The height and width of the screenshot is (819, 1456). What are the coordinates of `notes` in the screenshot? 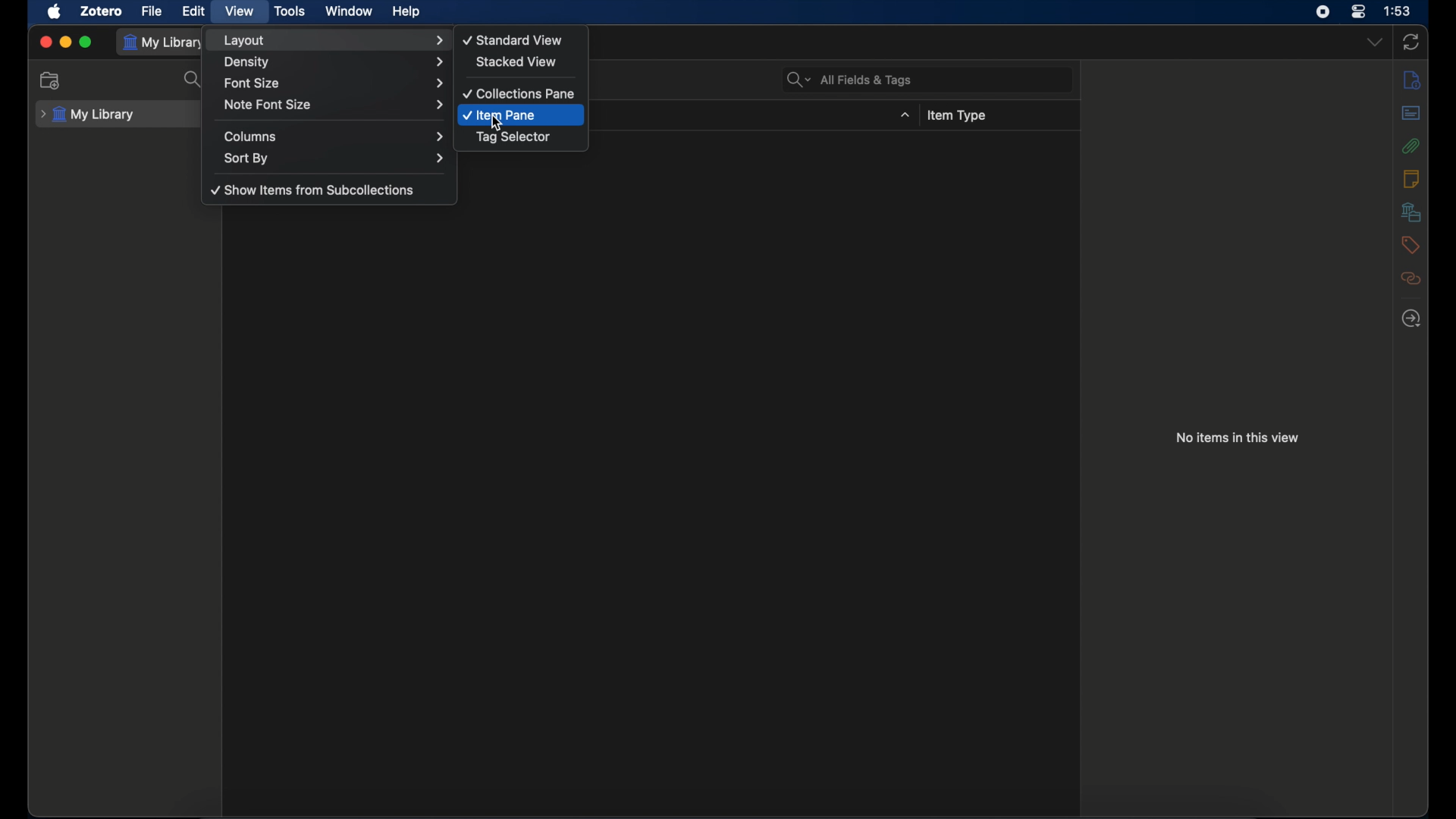 It's located at (1410, 178).